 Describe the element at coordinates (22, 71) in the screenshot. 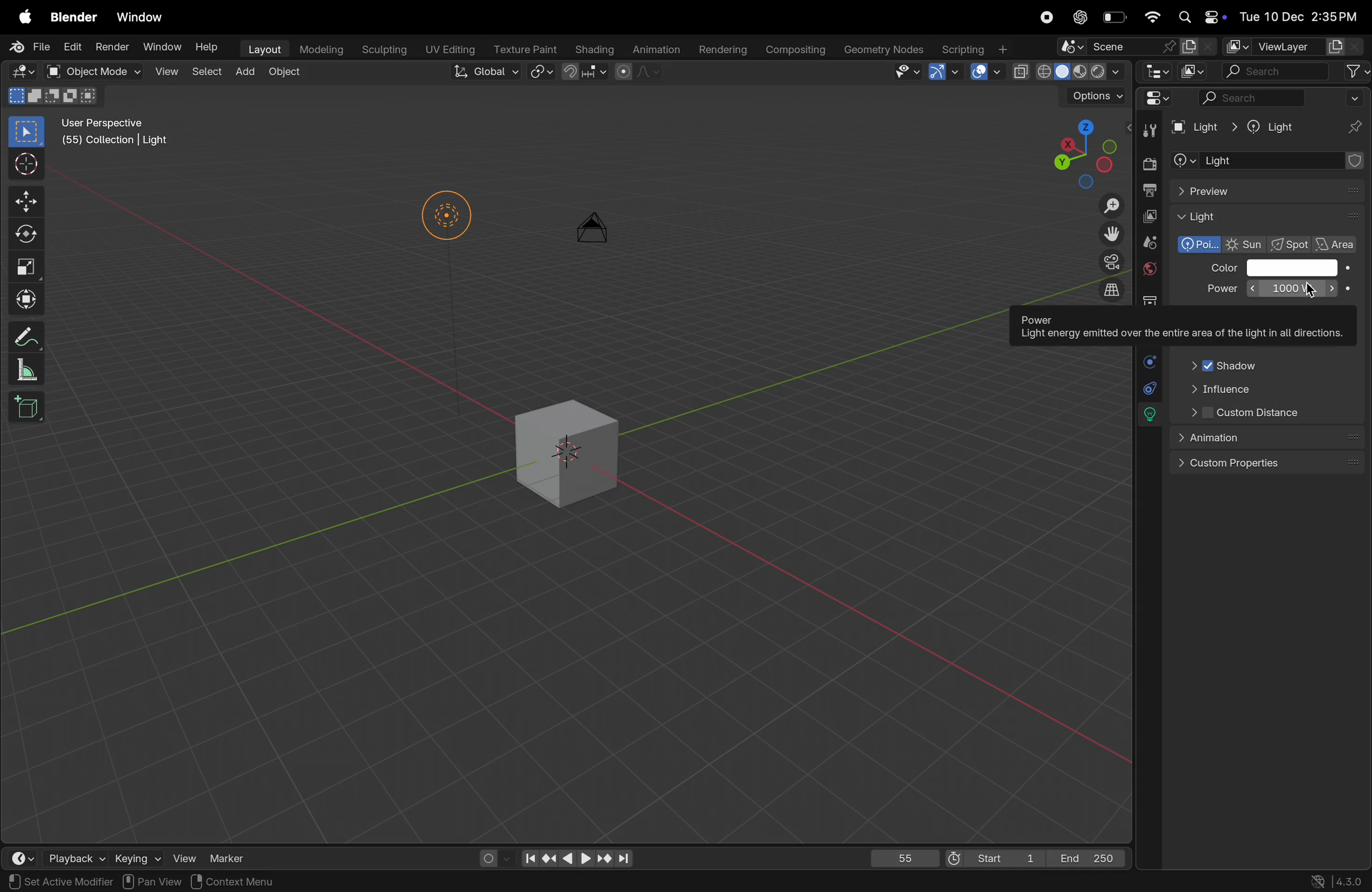

I see `Editor mode` at that location.